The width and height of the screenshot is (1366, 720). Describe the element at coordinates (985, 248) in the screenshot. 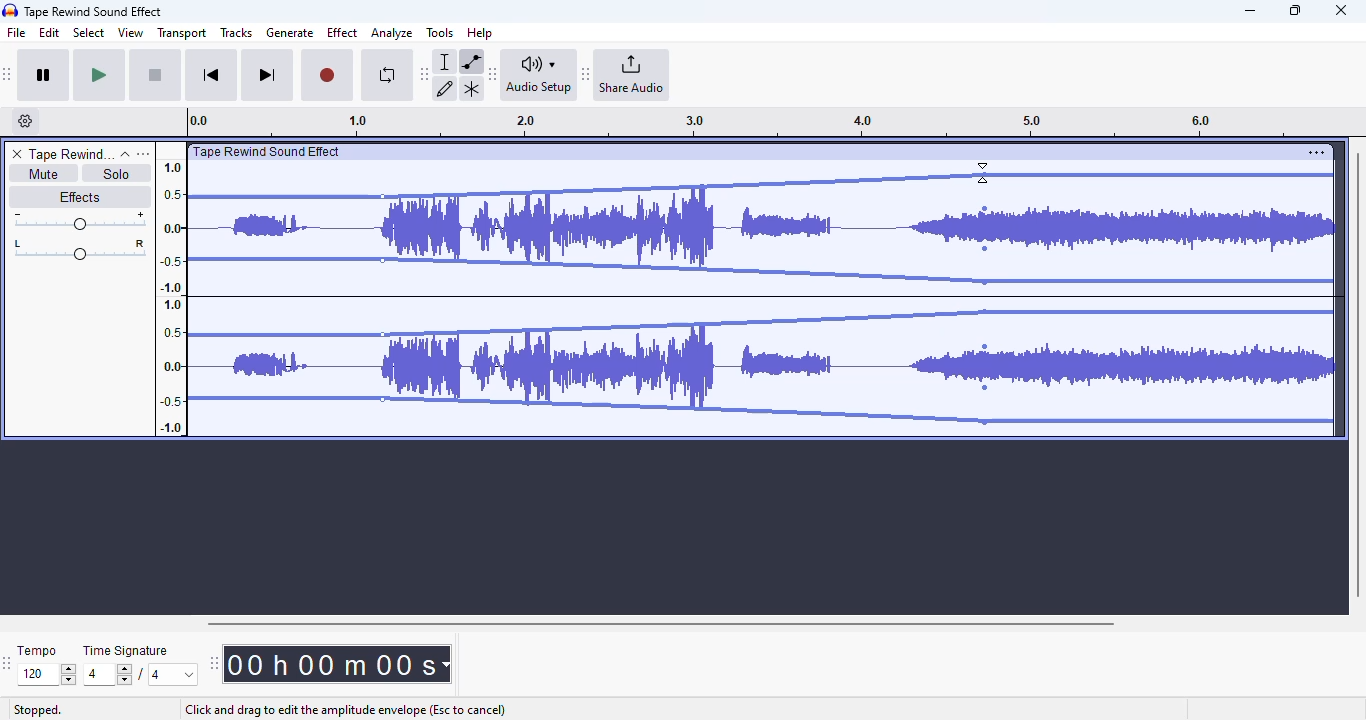

I see `Control point` at that location.